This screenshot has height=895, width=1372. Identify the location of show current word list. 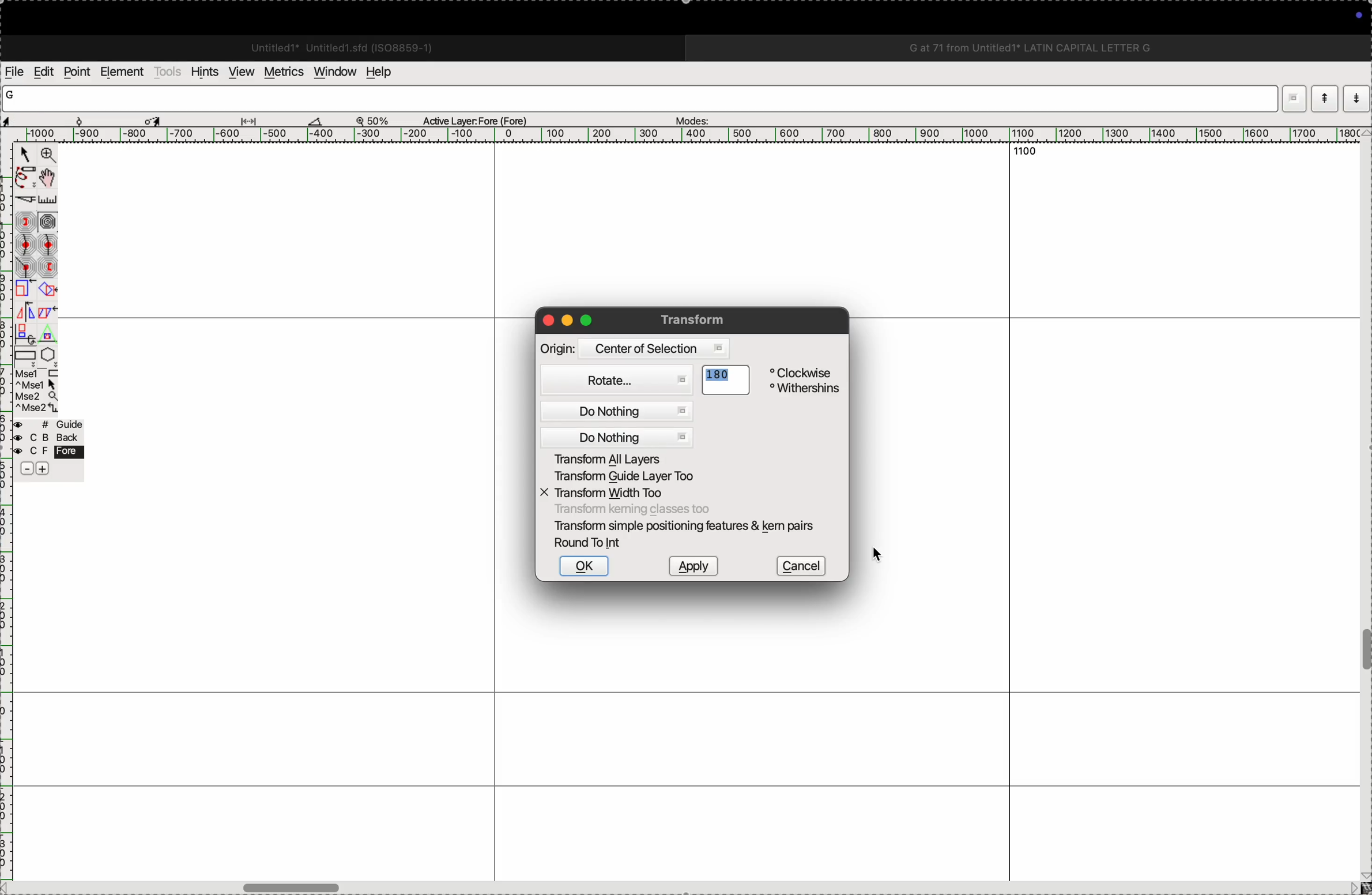
(1325, 98).